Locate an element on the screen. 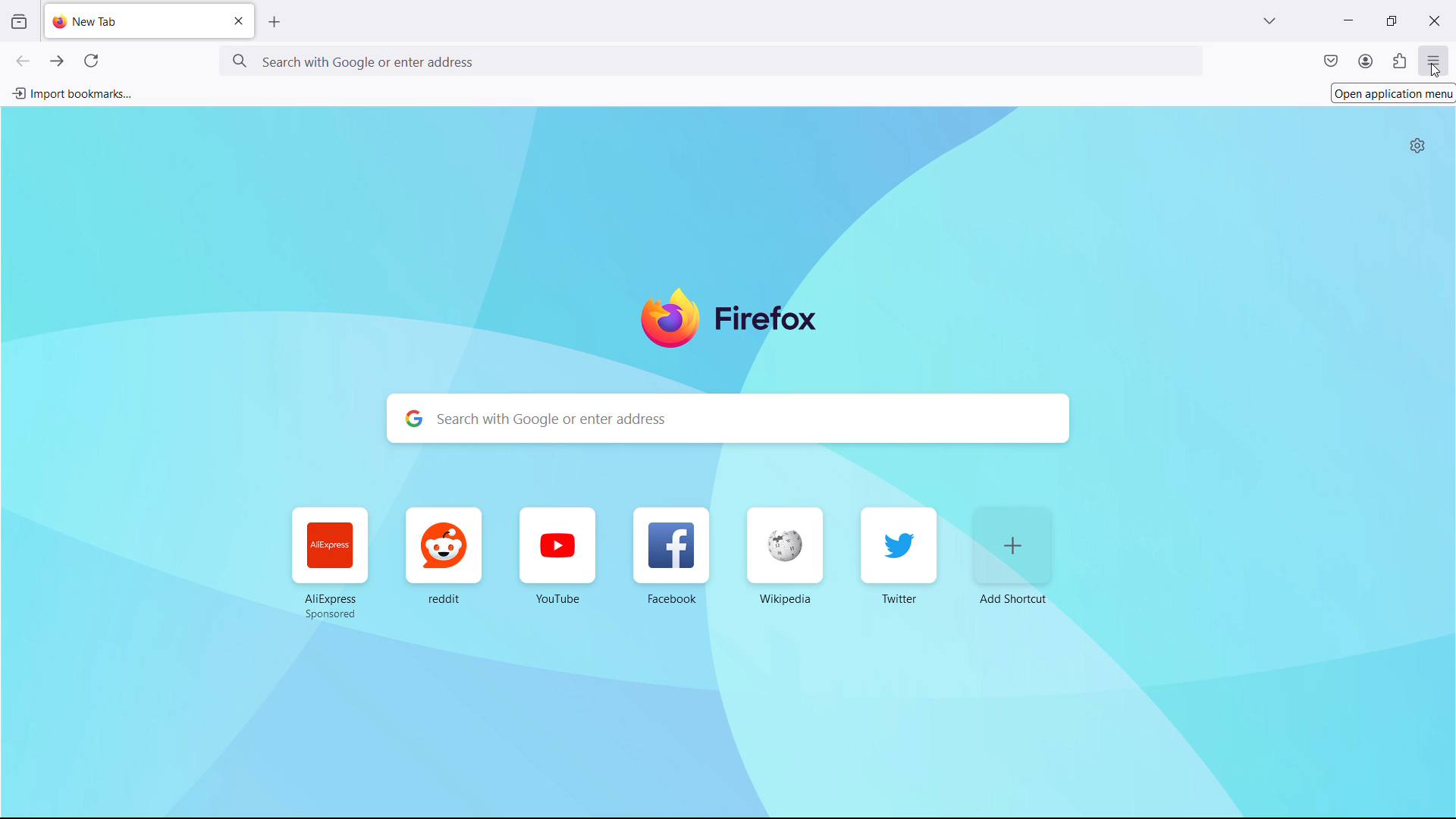  Facebook is located at coordinates (668, 559).